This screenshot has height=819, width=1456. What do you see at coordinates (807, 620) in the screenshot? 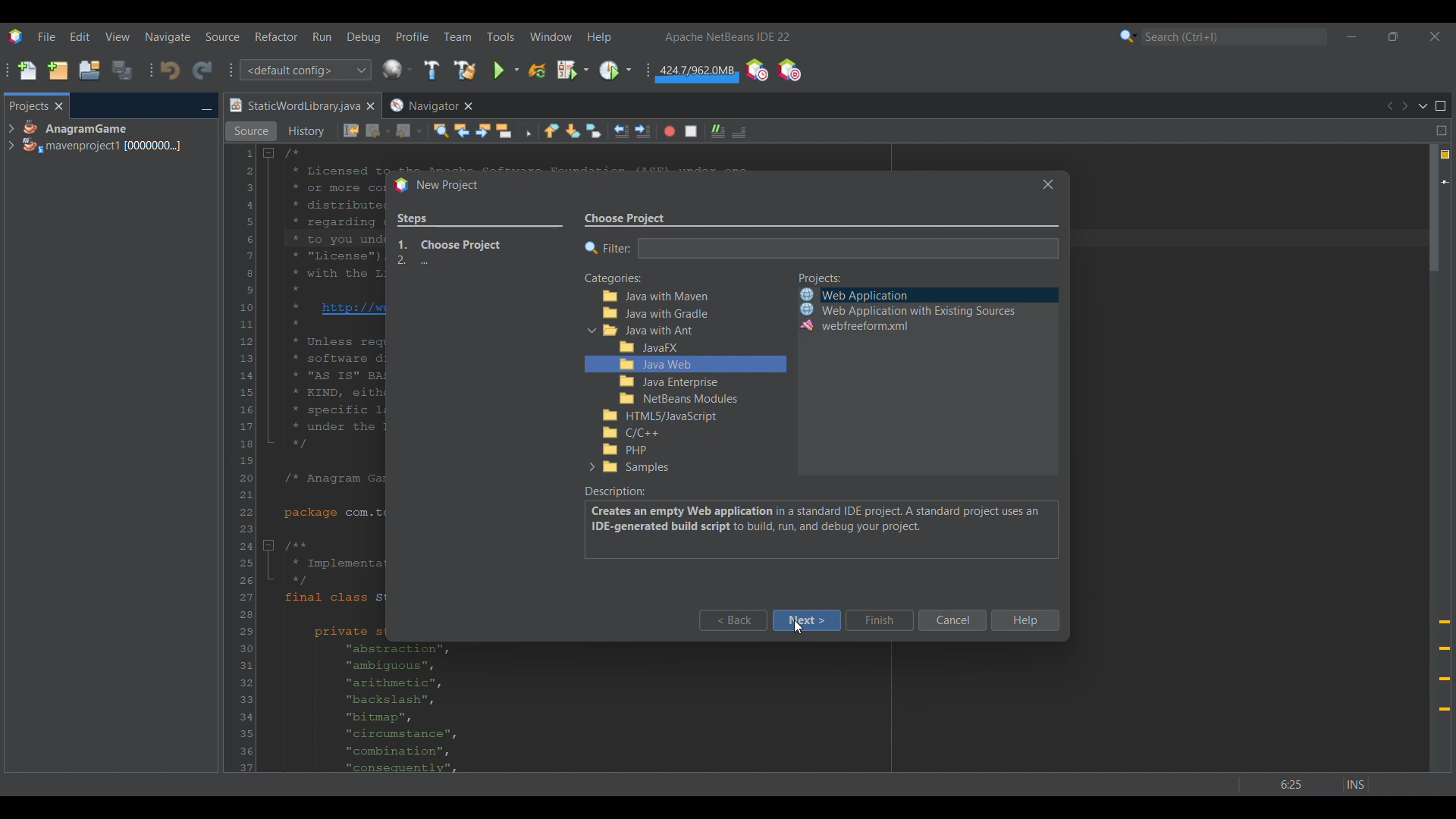
I see `Next highlighted by cursor` at bounding box center [807, 620].